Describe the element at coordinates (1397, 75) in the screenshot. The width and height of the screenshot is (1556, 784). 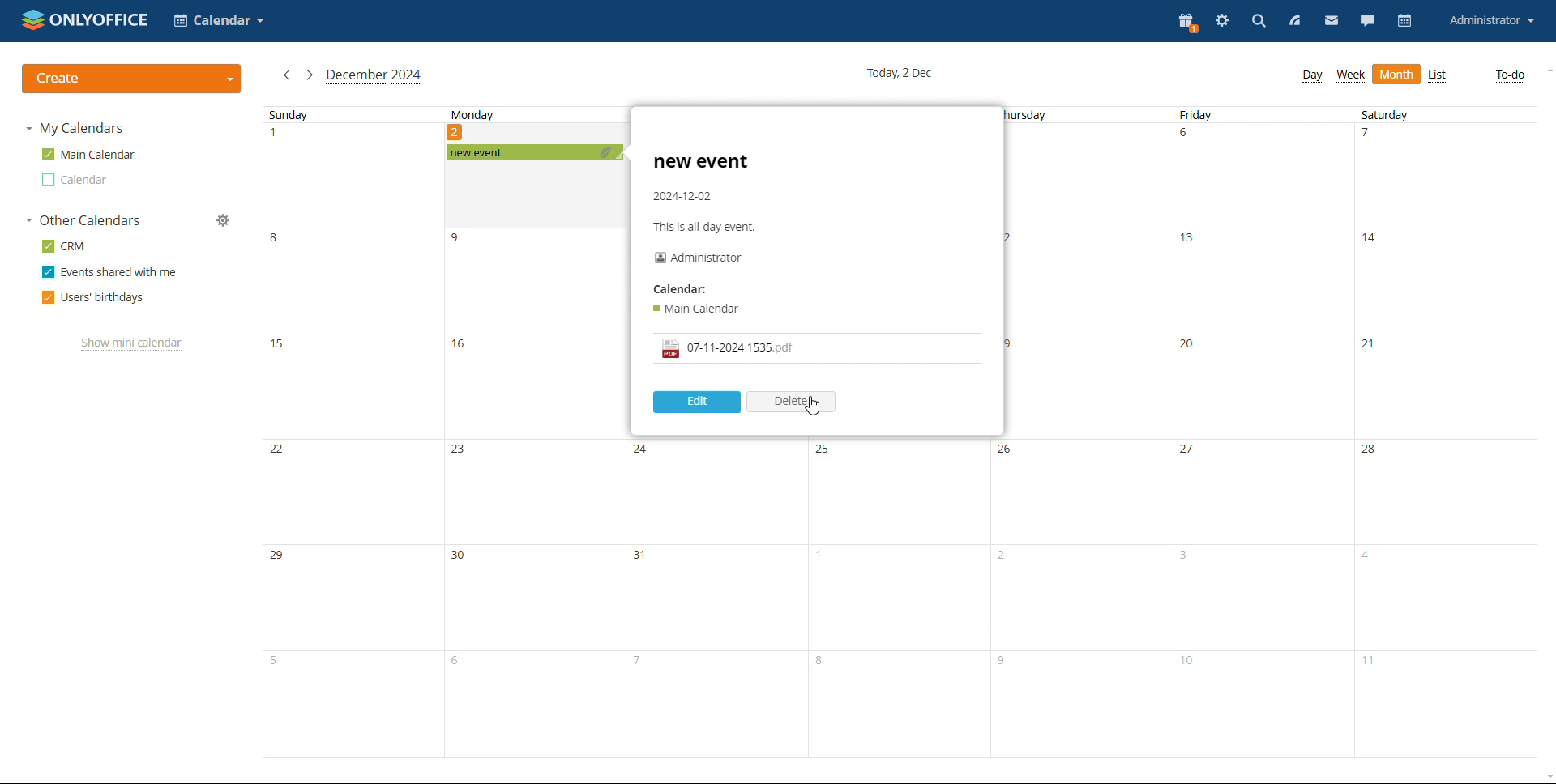
I see `Month` at that location.